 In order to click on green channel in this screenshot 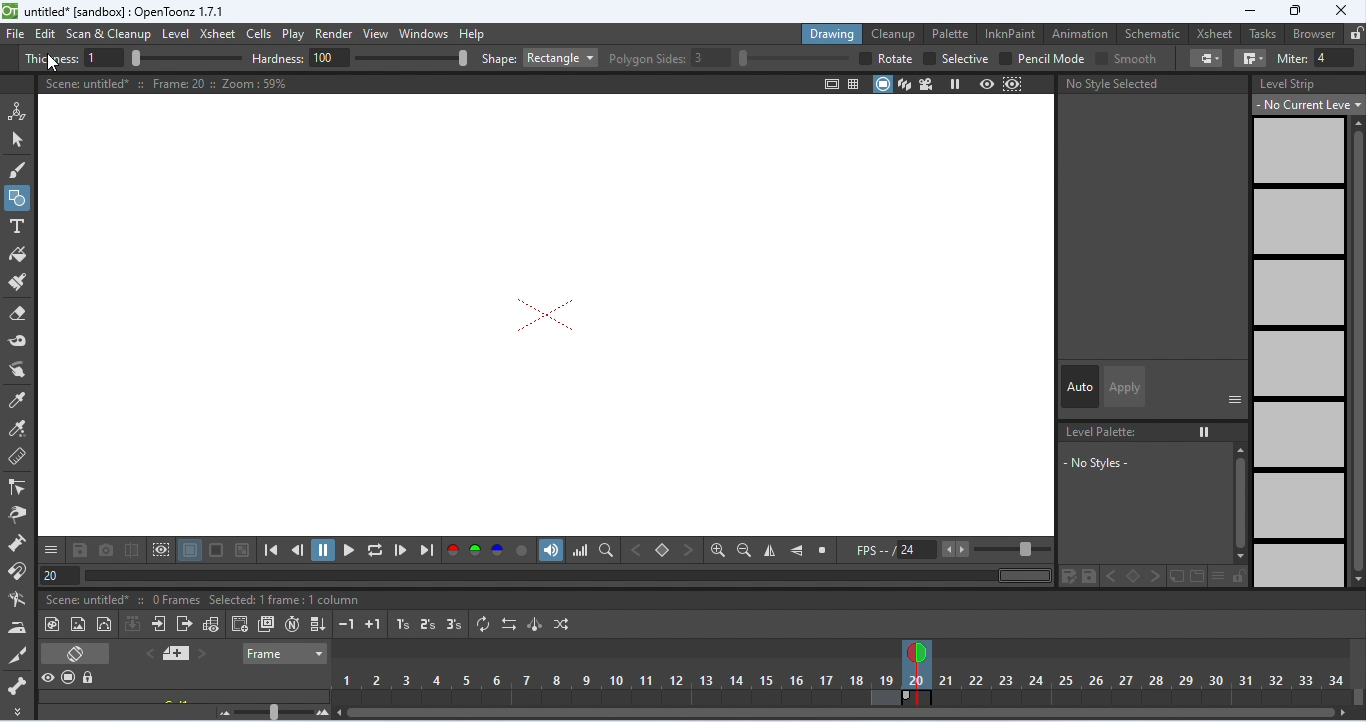, I will do `click(473, 551)`.